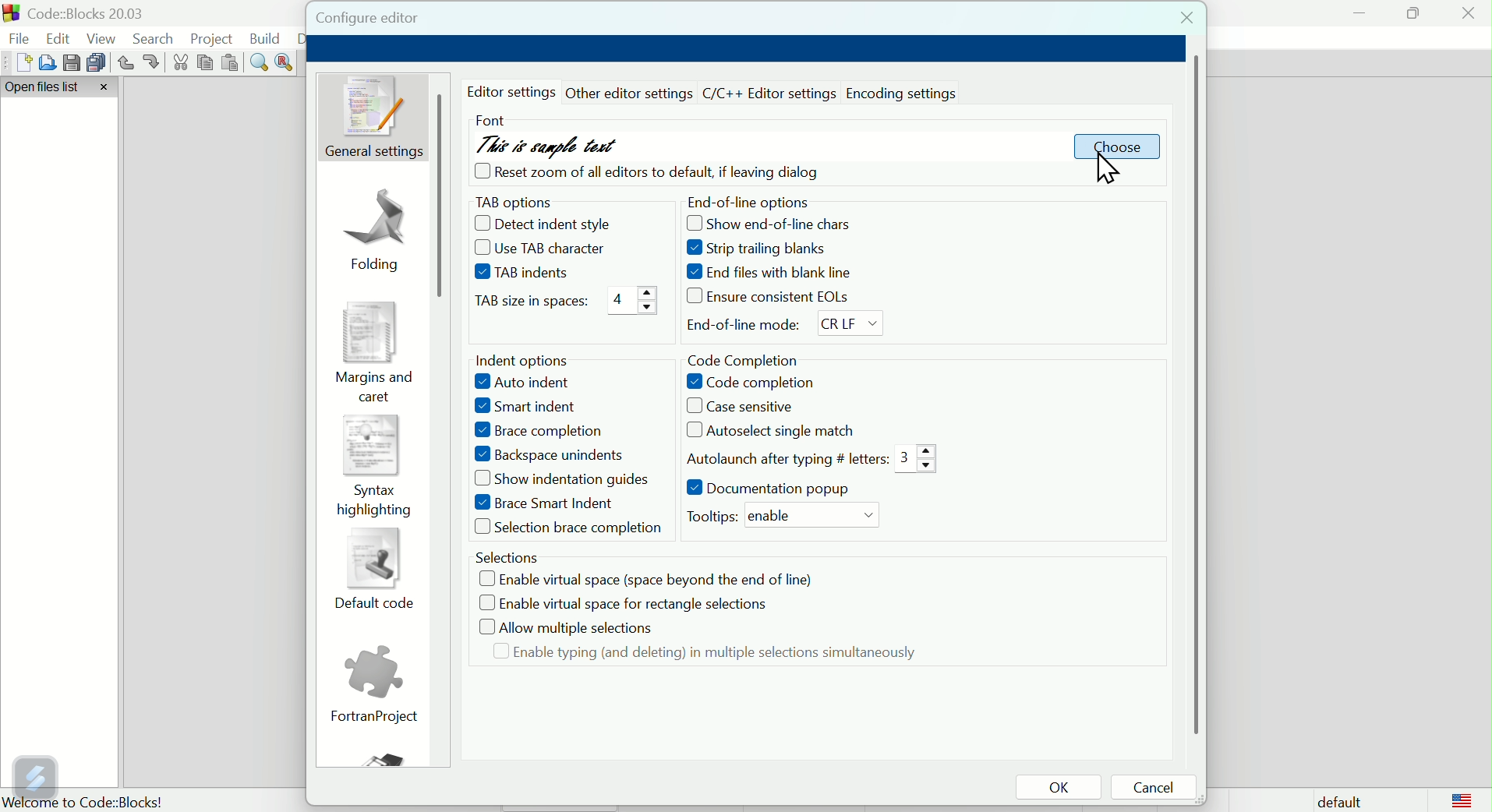  What do you see at coordinates (157, 39) in the screenshot?
I see `Search` at bounding box center [157, 39].